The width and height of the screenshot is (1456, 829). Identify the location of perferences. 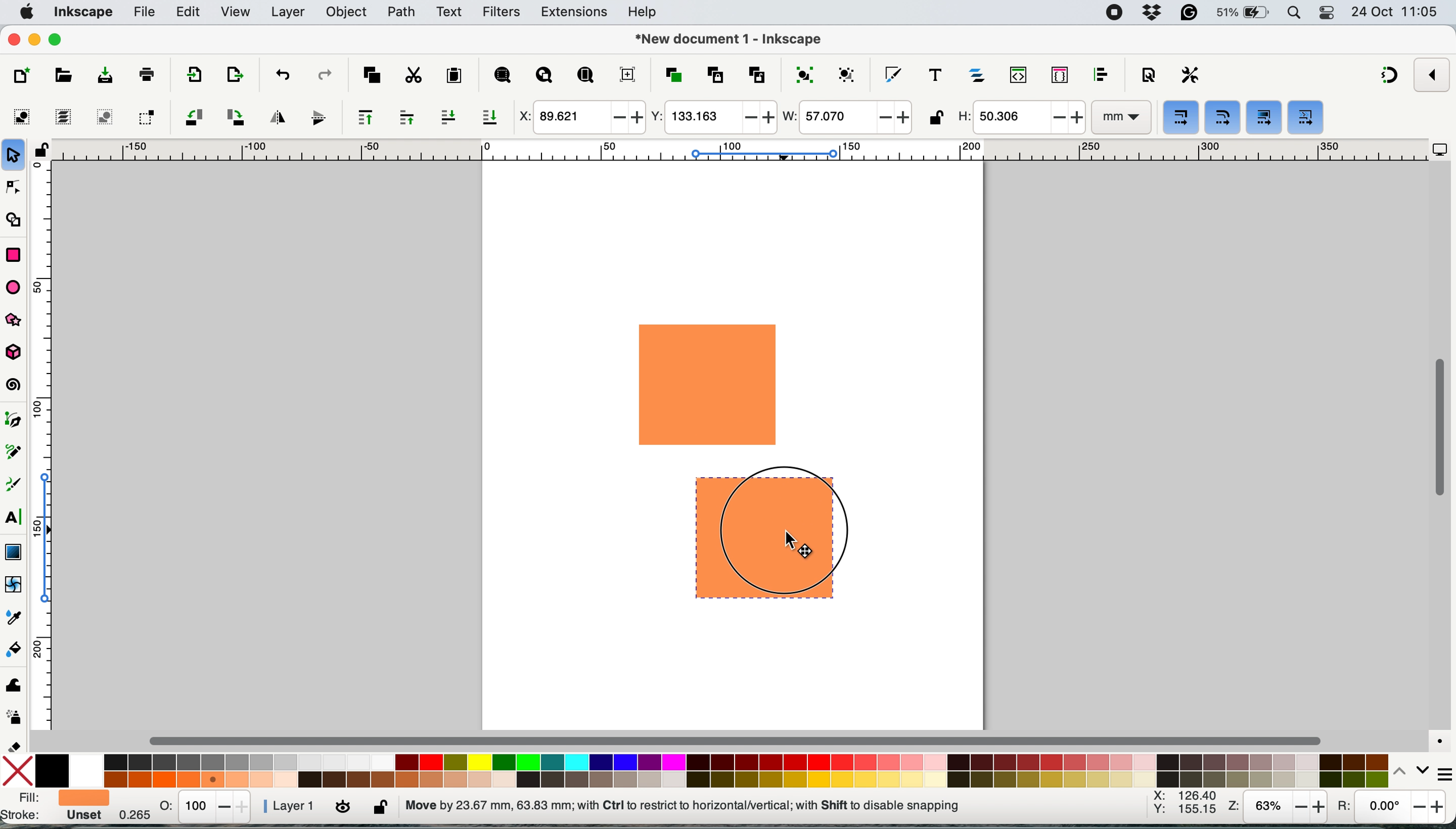
(1191, 75).